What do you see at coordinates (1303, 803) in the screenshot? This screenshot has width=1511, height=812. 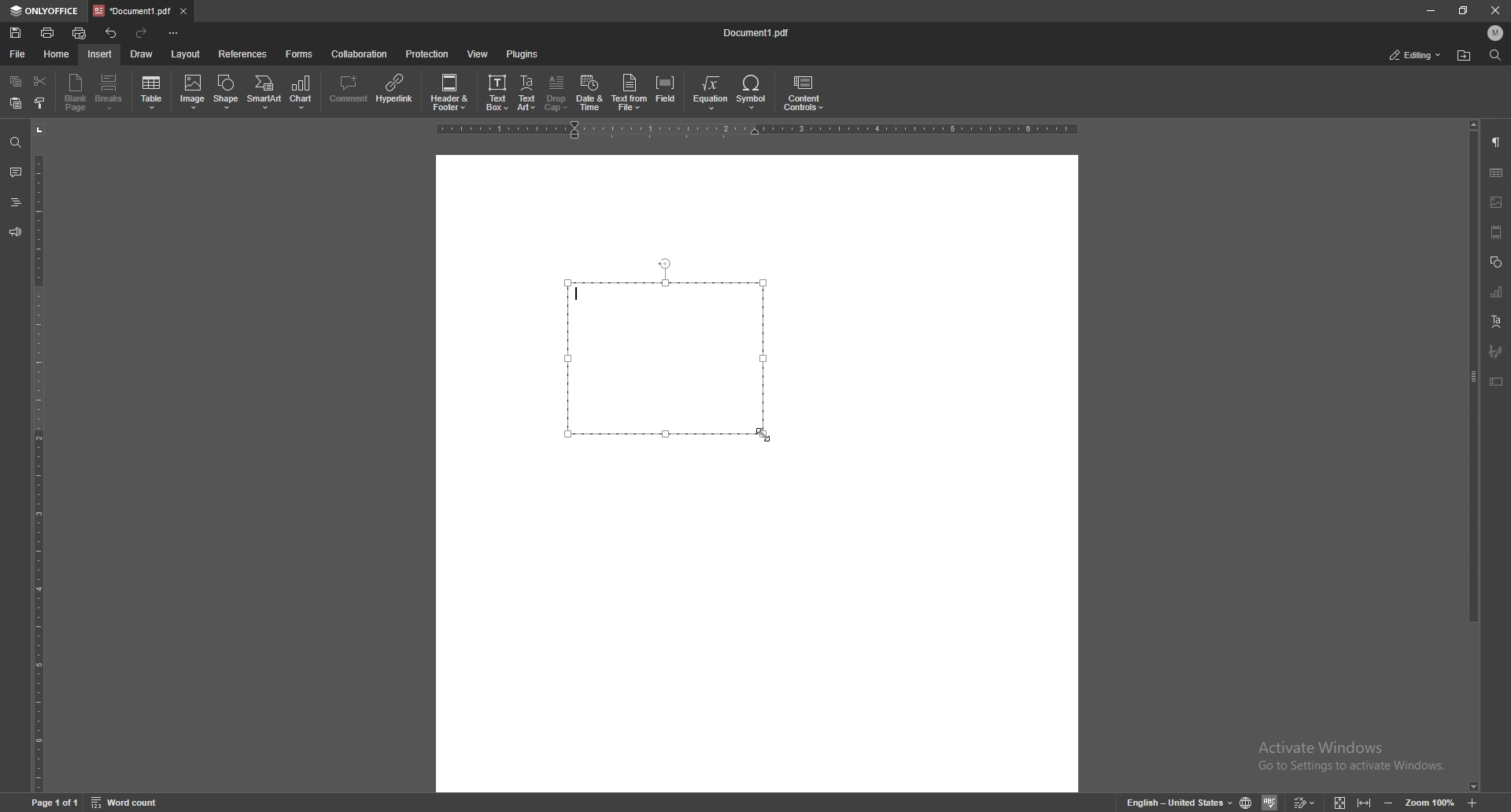 I see `track changes` at bounding box center [1303, 803].